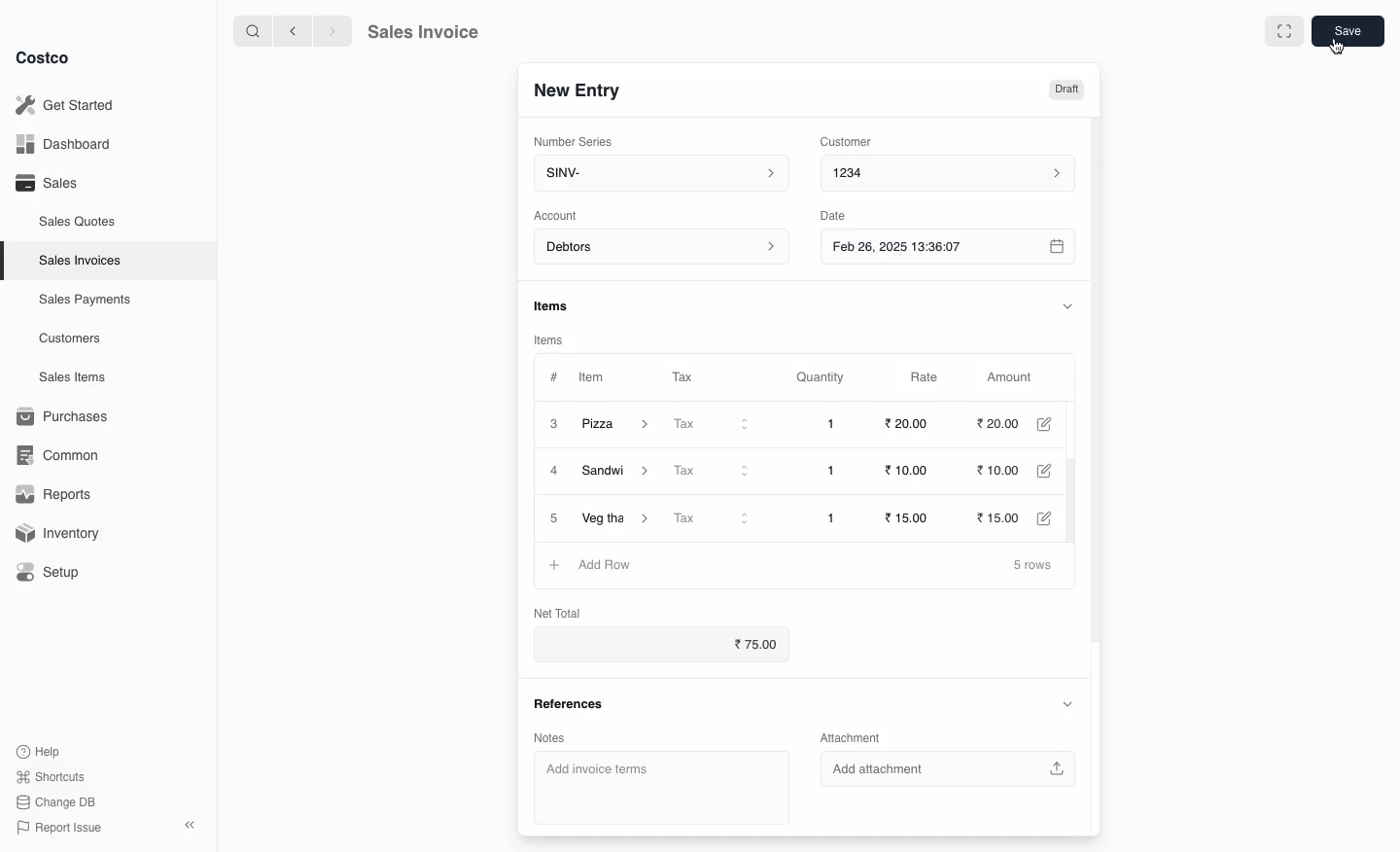 The height and width of the screenshot is (852, 1400). What do you see at coordinates (716, 518) in the screenshot?
I see `Tax` at bounding box center [716, 518].